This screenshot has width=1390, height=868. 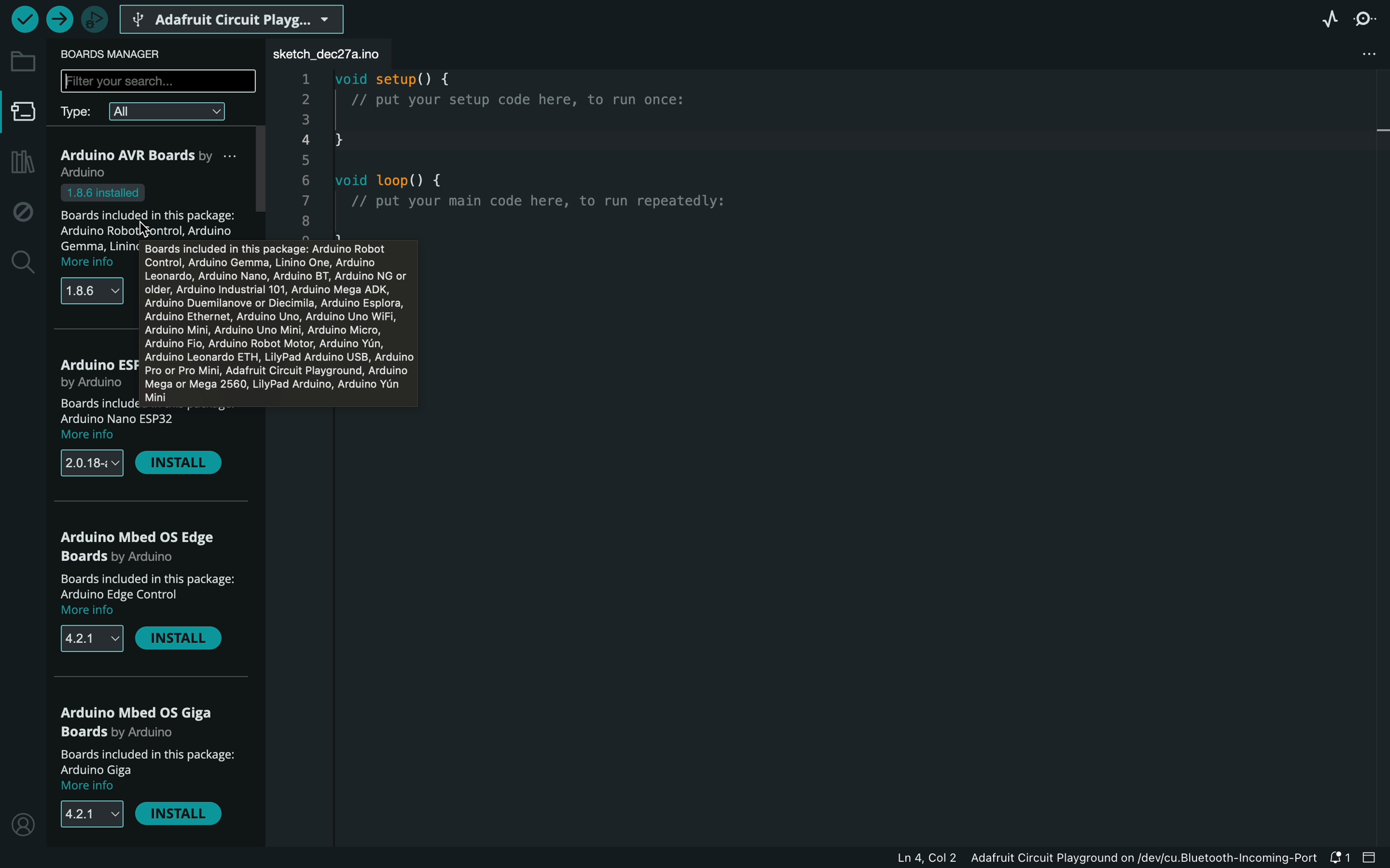 I want to click on install, so click(x=180, y=641).